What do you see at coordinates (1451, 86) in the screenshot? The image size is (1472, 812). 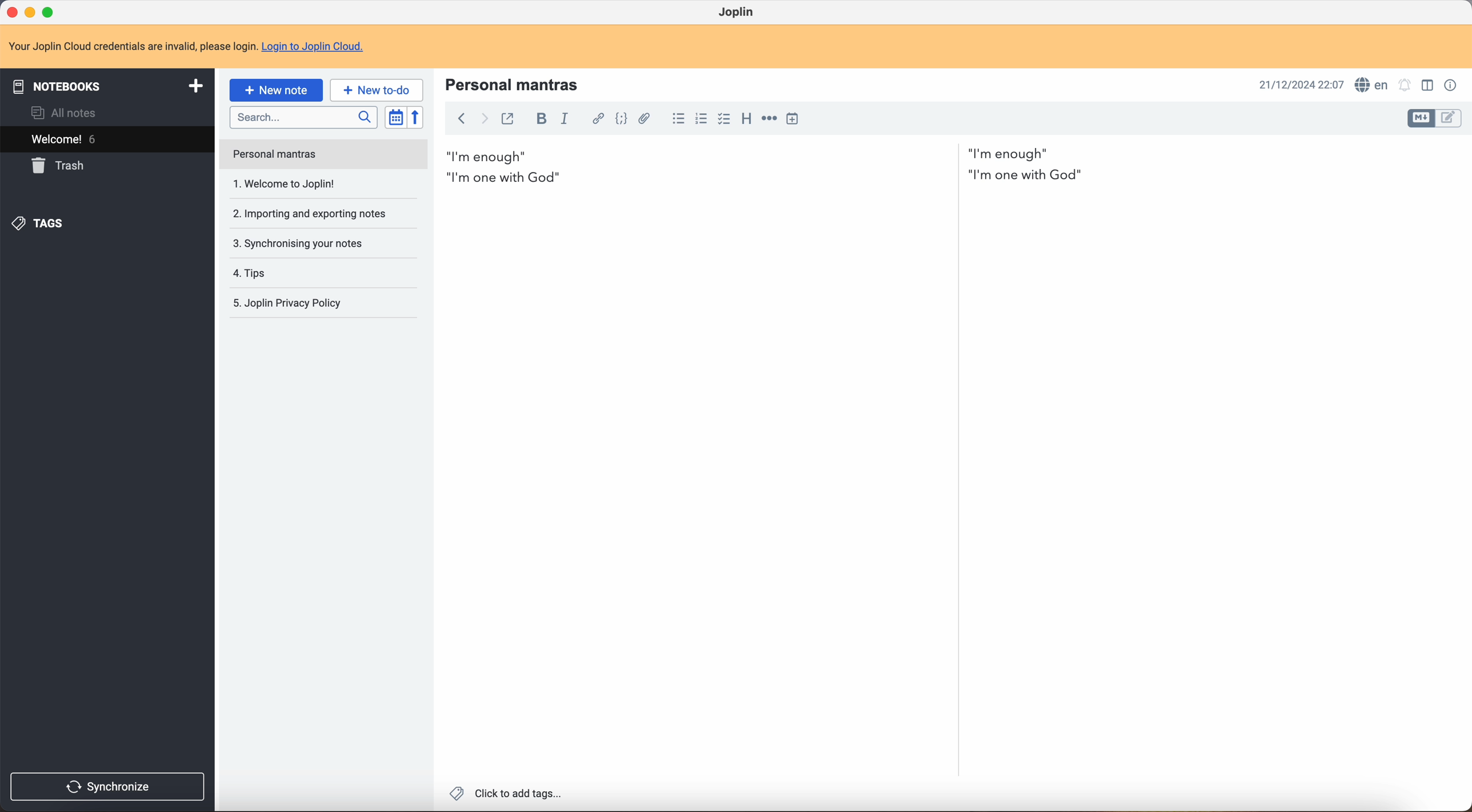 I see `note properties` at bounding box center [1451, 86].